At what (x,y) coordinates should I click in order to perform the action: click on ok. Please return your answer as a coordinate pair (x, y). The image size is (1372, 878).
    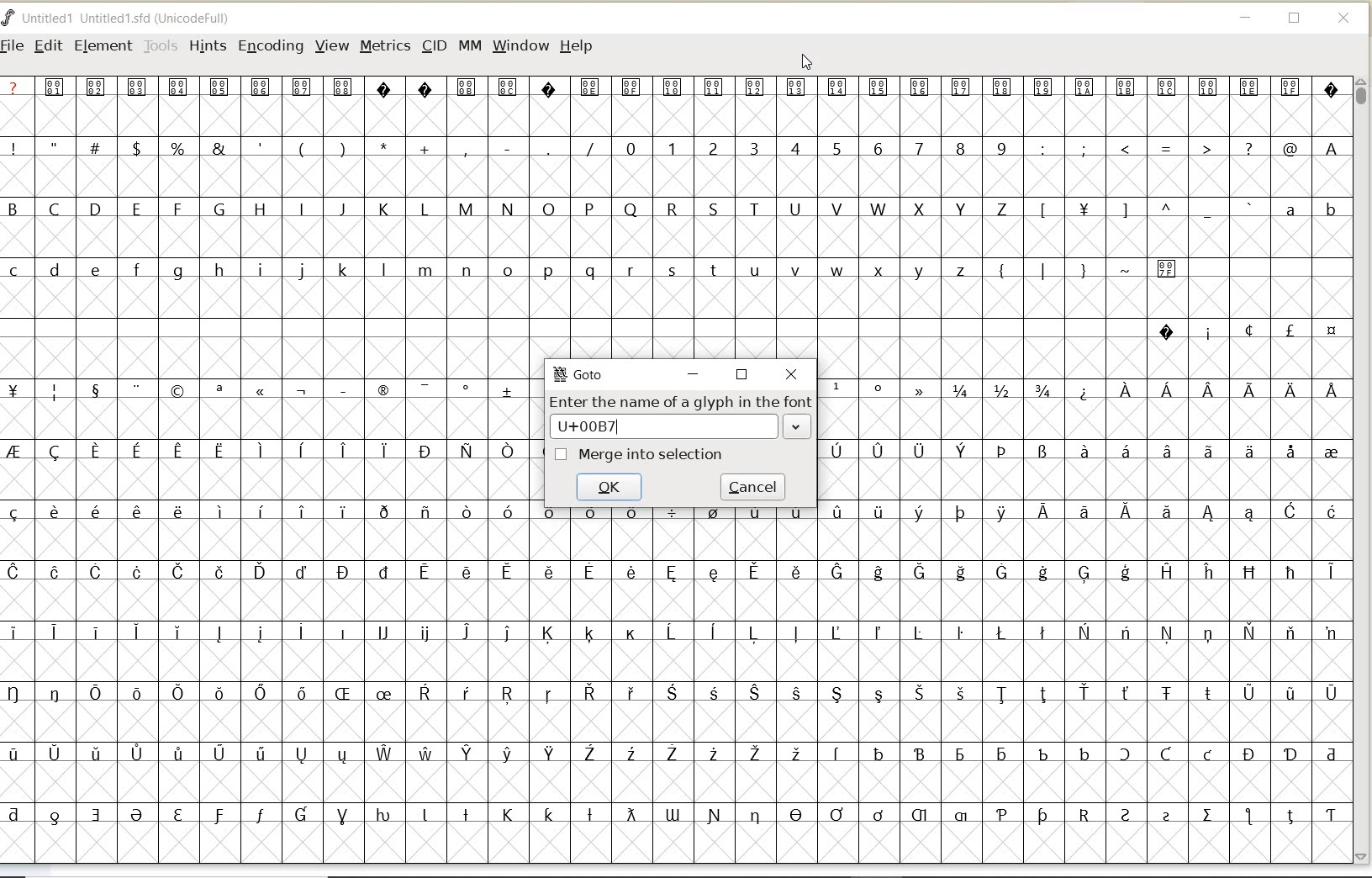
    Looking at the image, I should click on (607, 485).